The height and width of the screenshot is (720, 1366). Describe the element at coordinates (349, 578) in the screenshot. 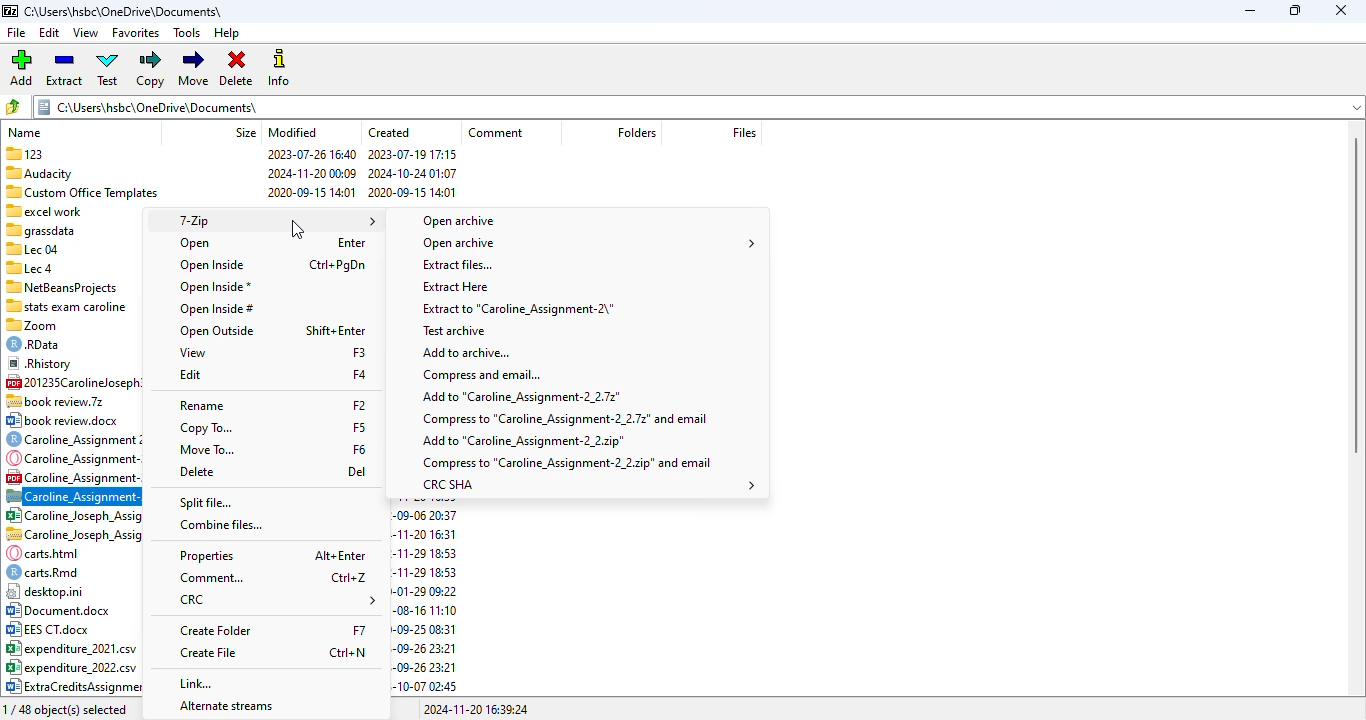

I see `shortcut for comment` at that location.